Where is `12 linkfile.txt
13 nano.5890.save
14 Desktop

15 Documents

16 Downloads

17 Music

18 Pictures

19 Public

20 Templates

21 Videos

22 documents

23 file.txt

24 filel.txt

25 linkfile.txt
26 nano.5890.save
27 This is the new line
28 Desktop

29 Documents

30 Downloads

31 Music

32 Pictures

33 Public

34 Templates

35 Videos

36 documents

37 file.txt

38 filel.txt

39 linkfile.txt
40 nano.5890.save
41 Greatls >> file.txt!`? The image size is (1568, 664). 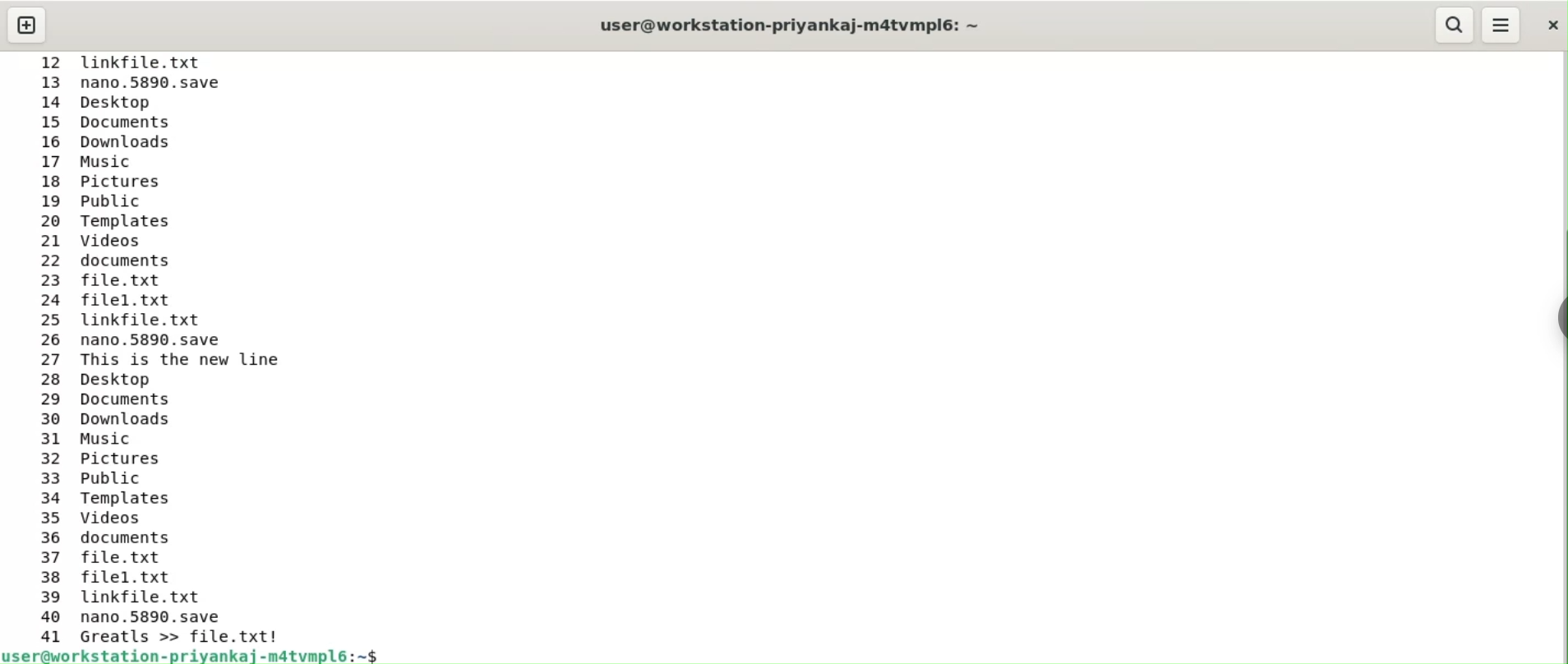
12 linkfile.txt
13 nano.5890.save
14 Desktop

15 Documents

16 Downloads

17 Music

18 Pictures

19 Public

20 Templates

21 Videos

22 documents

23 file.txt

24 filel.txt

25 linkfile.txt
26 nano.5890.save
27 This is the new line
28 Desktop

29 Documents

30 Downloads

31 Music

32 Pictures

33 Public

34 Templates

35 Videos

36 documents

37 file.txt

38 filel.txt

39 linkfile.txt
40 nano.5890.save
41 Greatls >> file.txt! is located at coordinates (158, 349).